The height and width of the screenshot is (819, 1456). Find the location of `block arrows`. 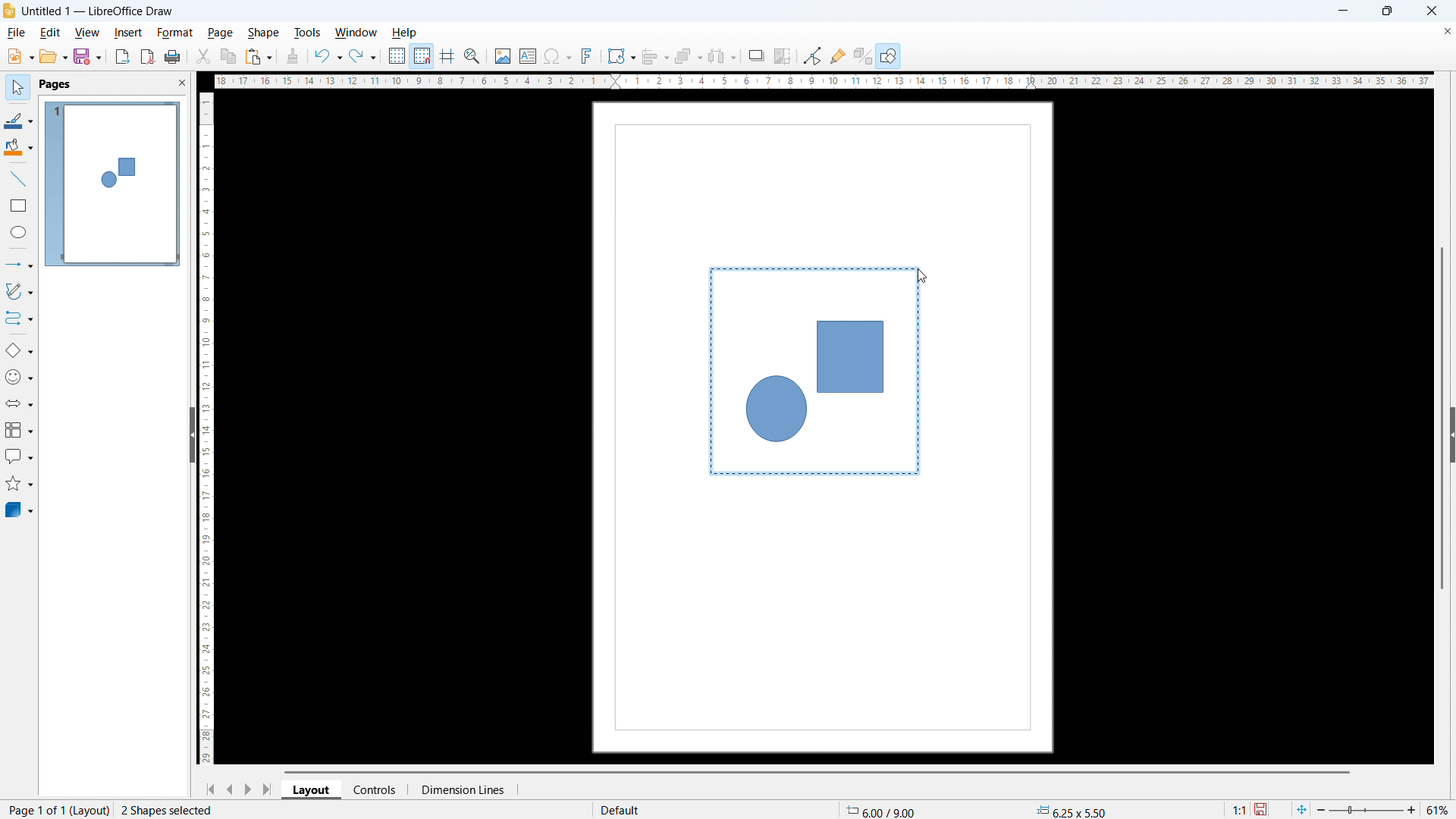

block arrows is located at coordinates (20, 403).